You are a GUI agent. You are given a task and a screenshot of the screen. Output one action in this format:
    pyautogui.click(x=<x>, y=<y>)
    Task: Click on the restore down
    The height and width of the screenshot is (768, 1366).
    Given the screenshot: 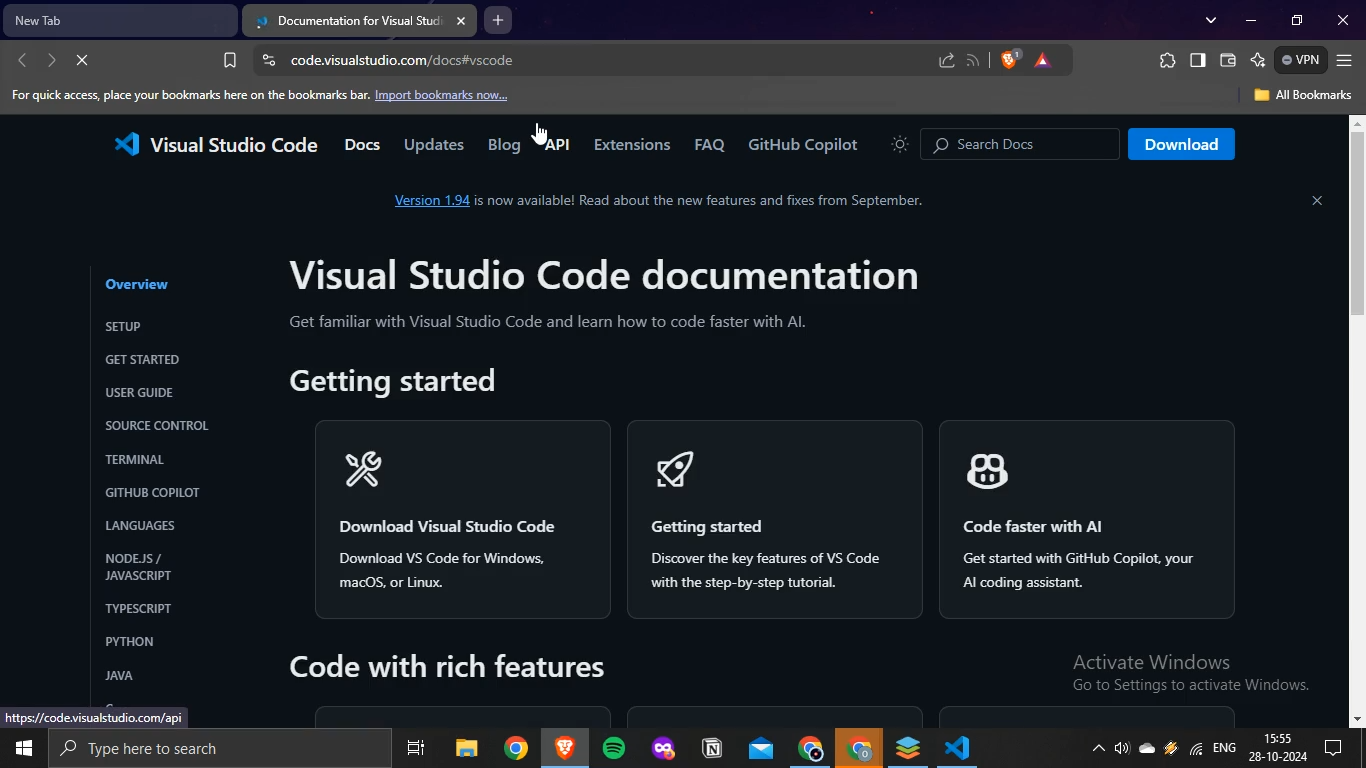 What is the action you would take?
    pyautogui.click(x=1293, y=21)
    